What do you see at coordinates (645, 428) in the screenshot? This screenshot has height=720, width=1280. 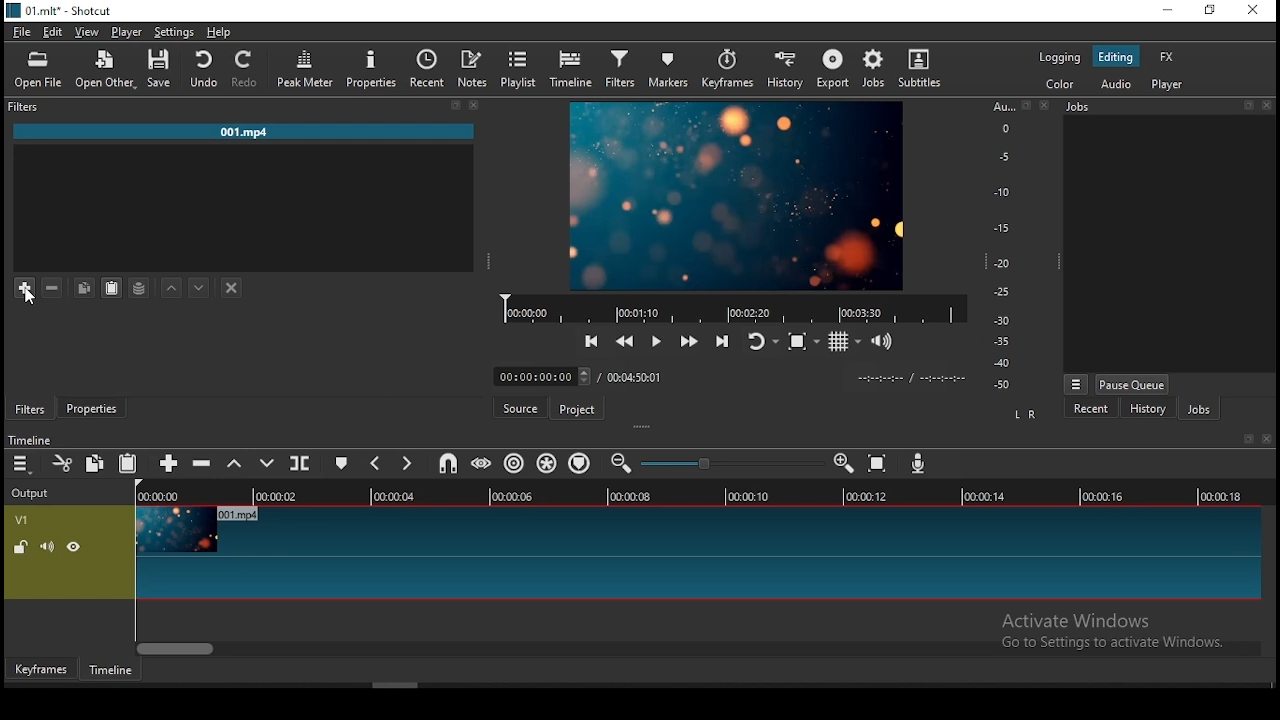 I see `drag` at bounding box center [645, 428].